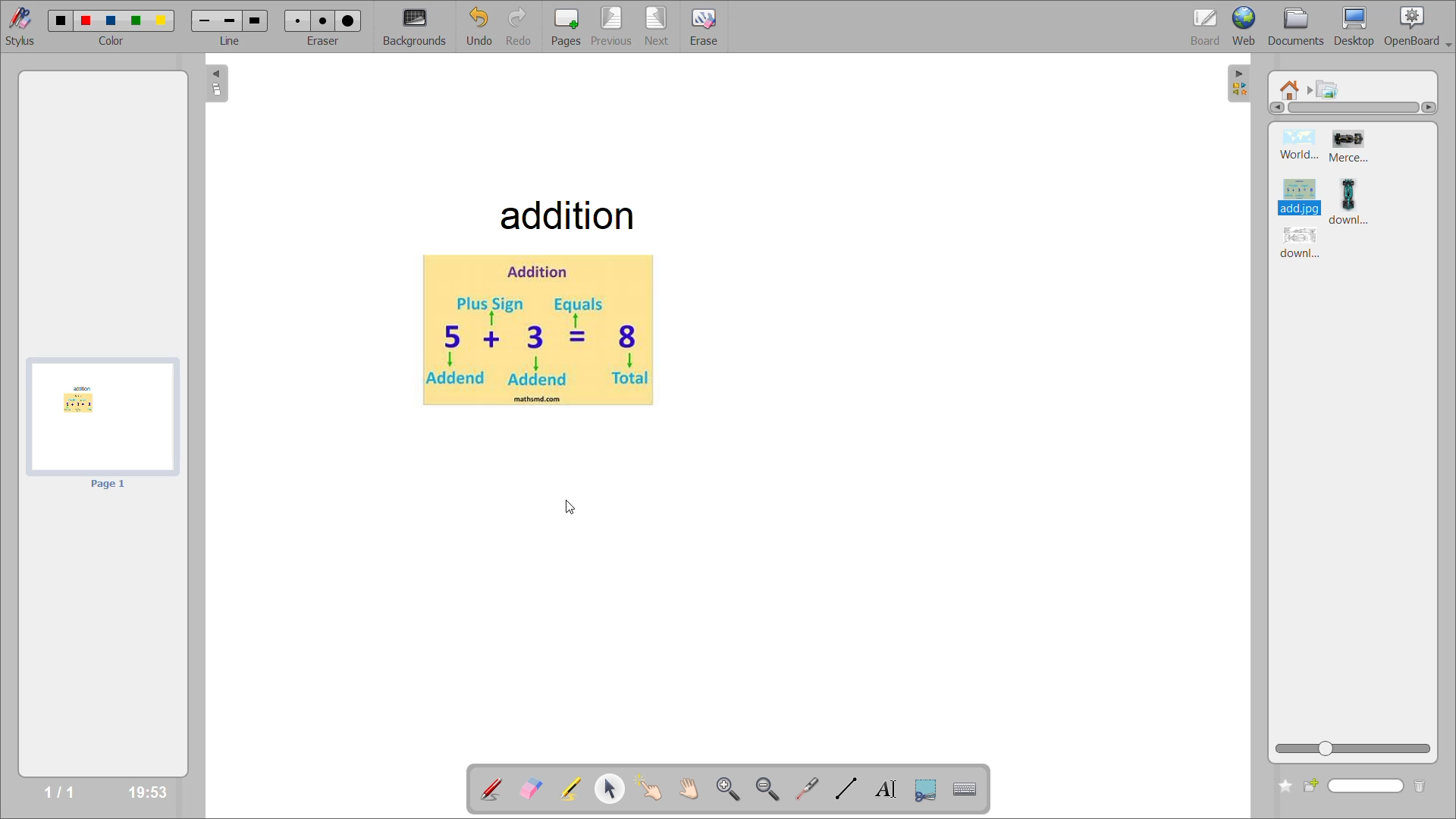 The width and height of the screenshot is (1456, 819). What do you see at coordinates (1420, 27) in the screenshot?
I see `openboard` at bounding box center [1420, 27].